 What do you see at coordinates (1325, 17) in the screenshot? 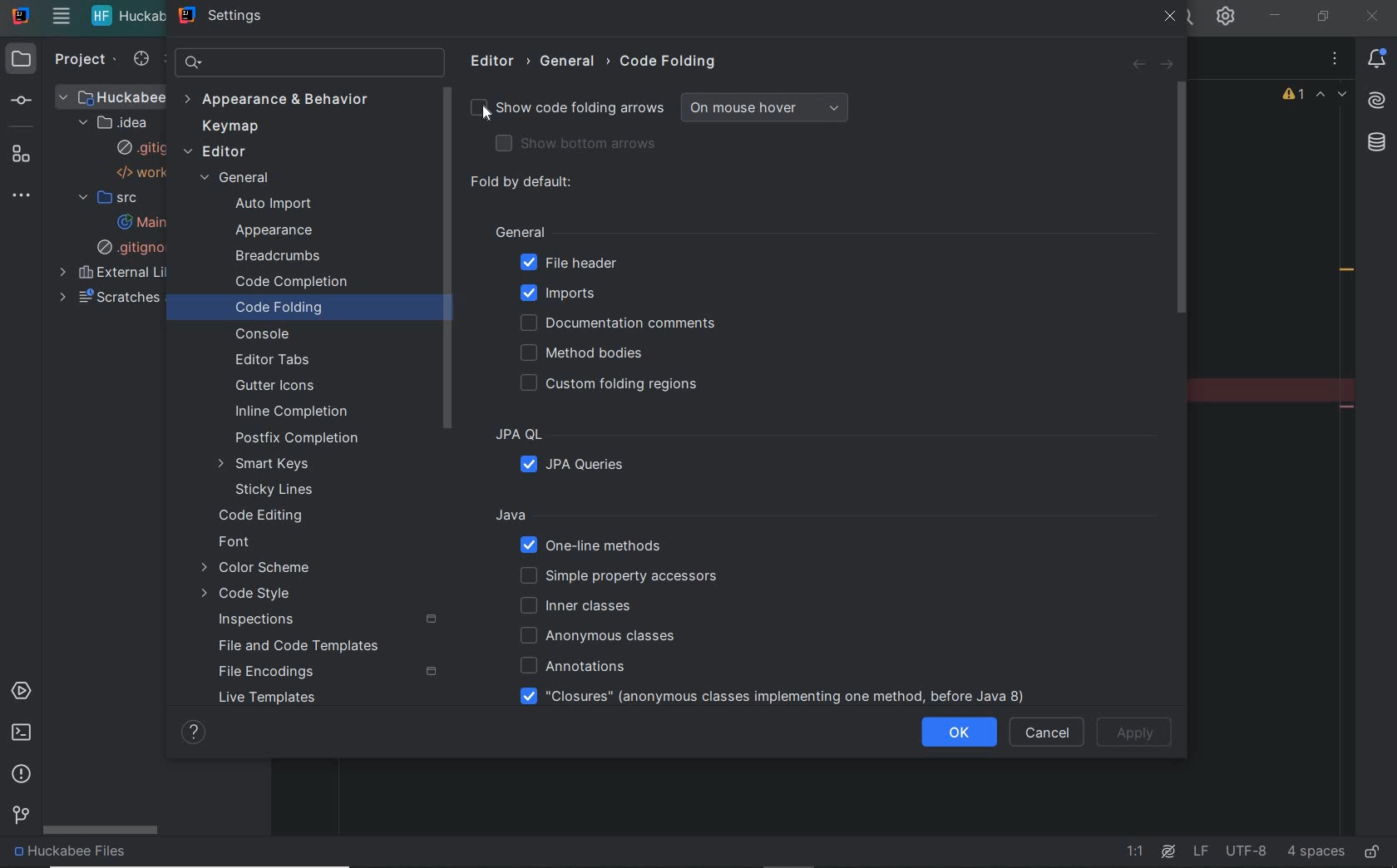
I see `restore down` at bounding box center [1325, 17].